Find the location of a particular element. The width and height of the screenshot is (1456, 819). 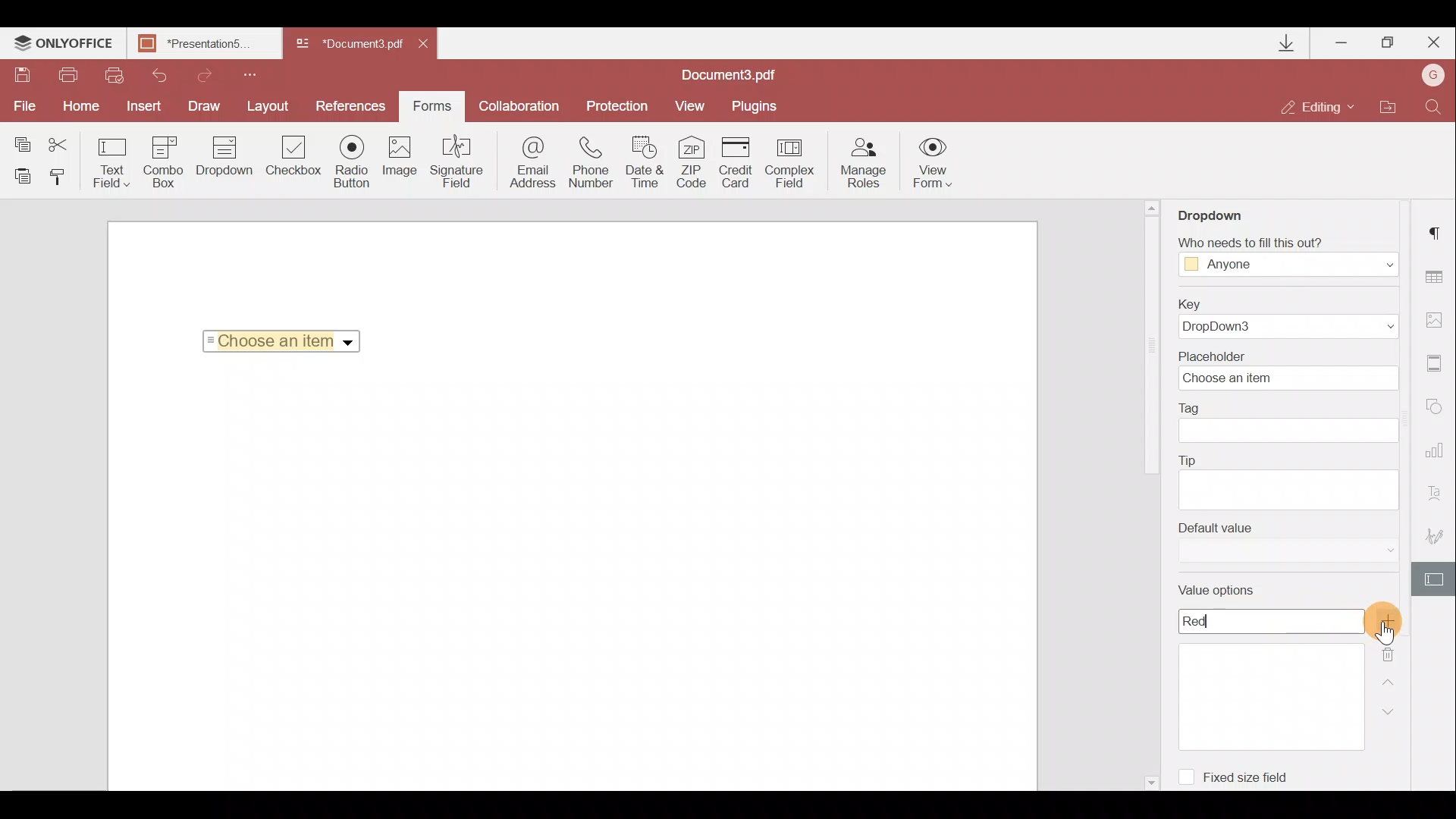

Up is located at coordinates (1391, 679).